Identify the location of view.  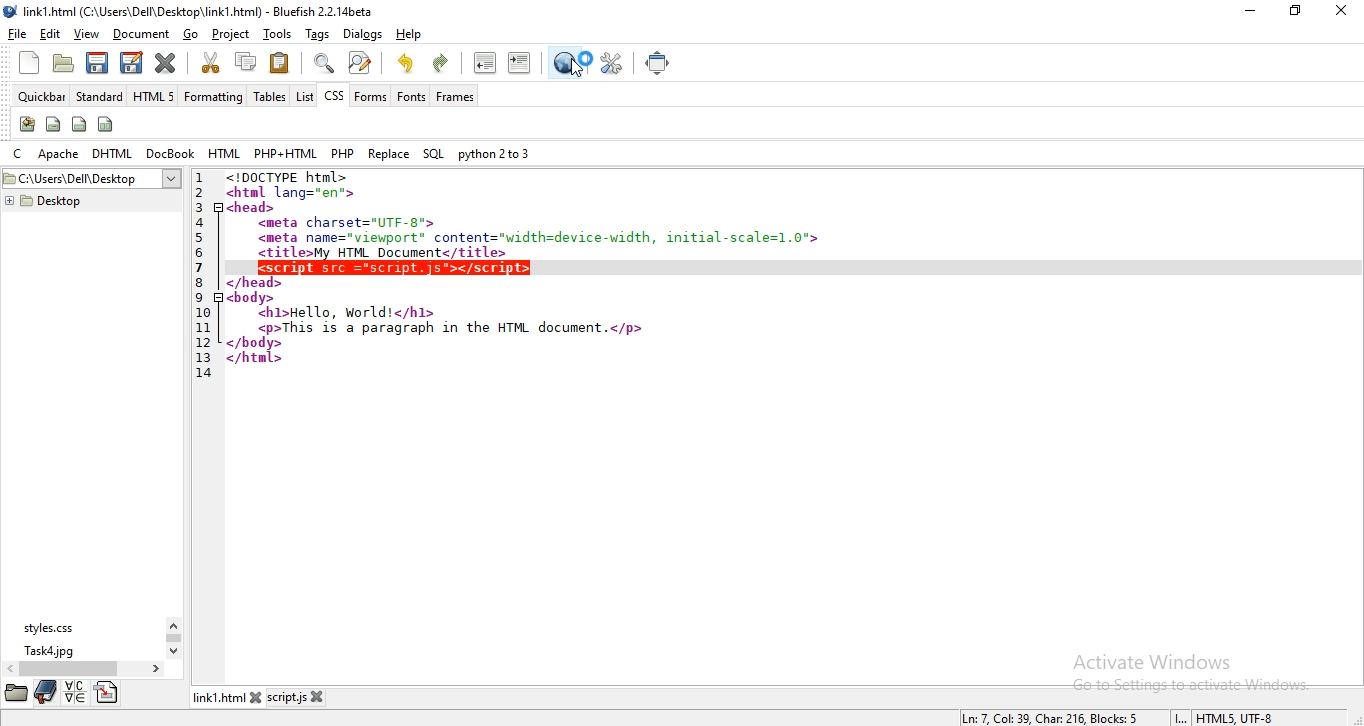
(85, 34).